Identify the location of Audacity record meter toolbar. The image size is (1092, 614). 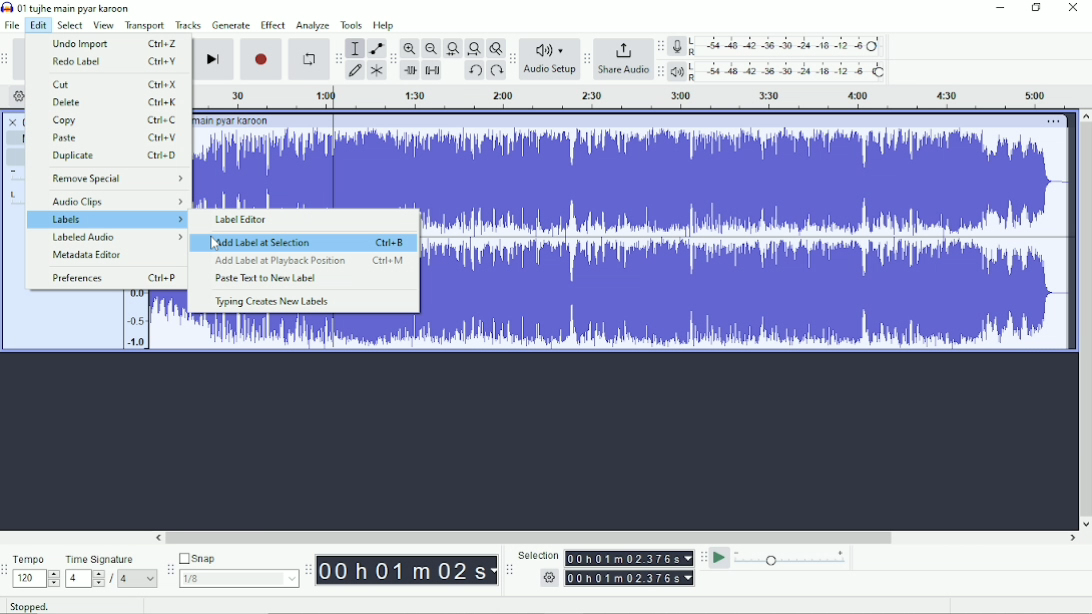
(661, 46).